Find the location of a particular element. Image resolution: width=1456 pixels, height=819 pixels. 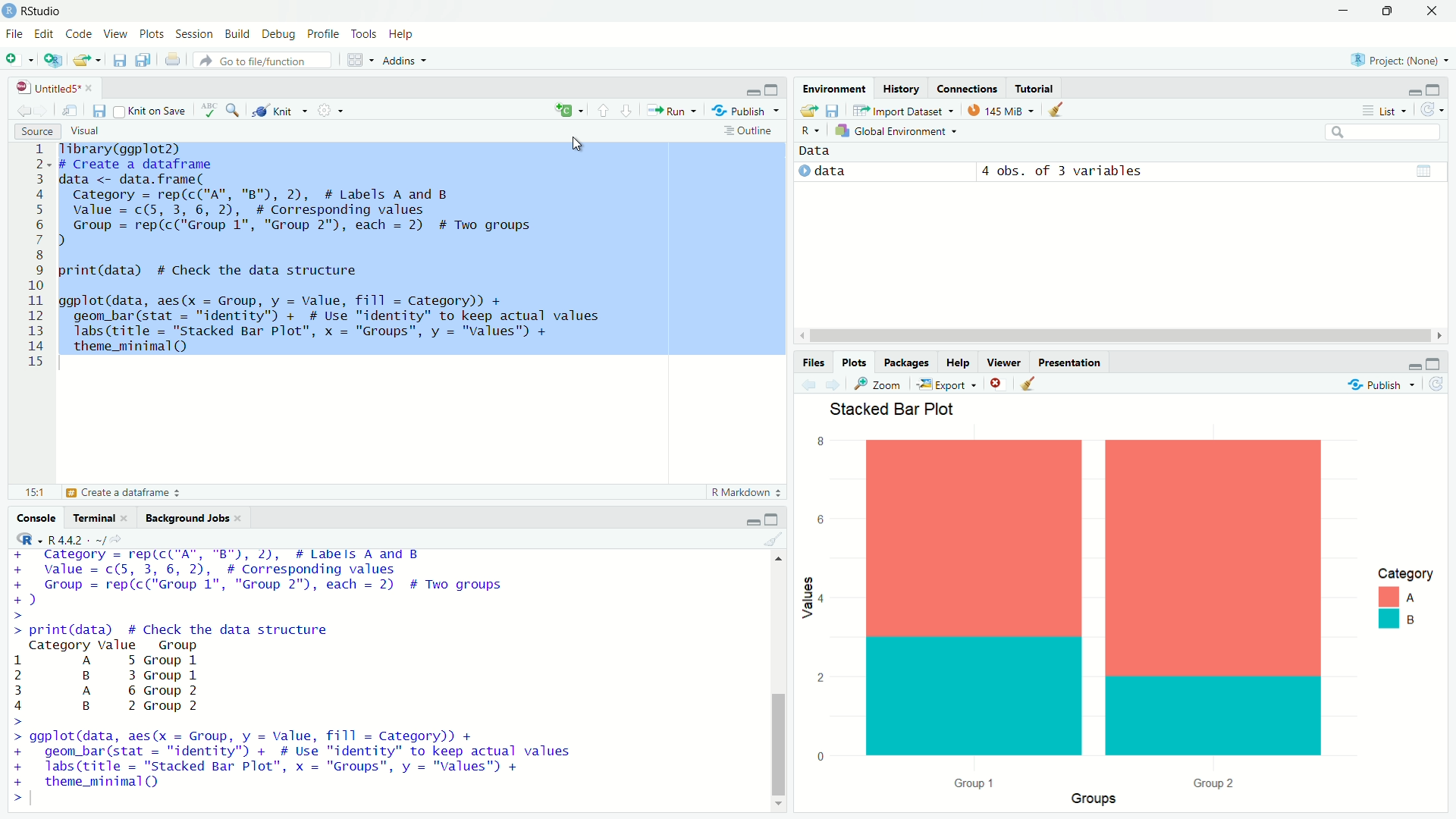

Go forward to the next source location (Ctrl + F10) is located at coordinates (831, 383).